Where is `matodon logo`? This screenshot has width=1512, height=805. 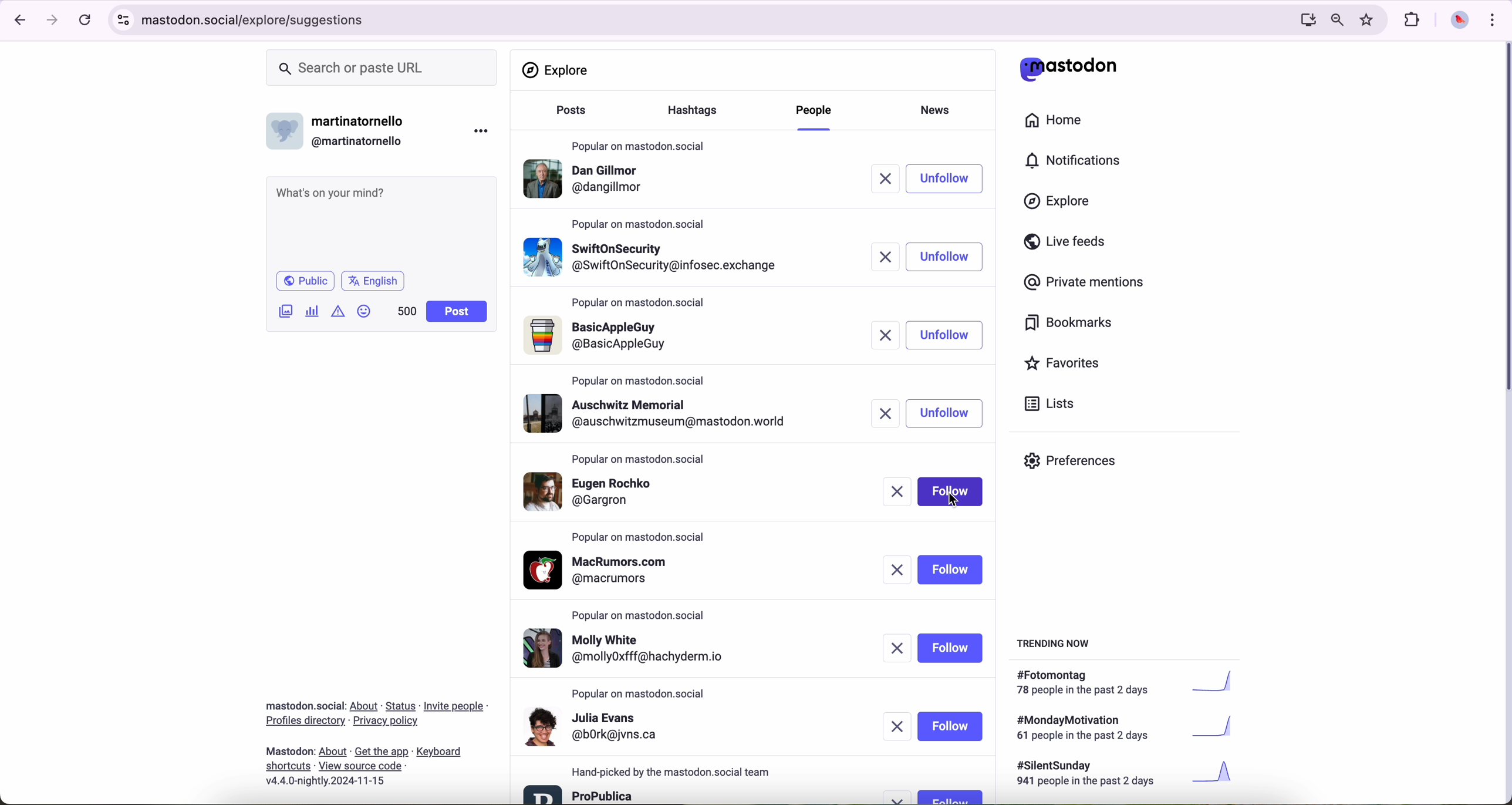
matodon logo is located at coordinates (1069, 69).